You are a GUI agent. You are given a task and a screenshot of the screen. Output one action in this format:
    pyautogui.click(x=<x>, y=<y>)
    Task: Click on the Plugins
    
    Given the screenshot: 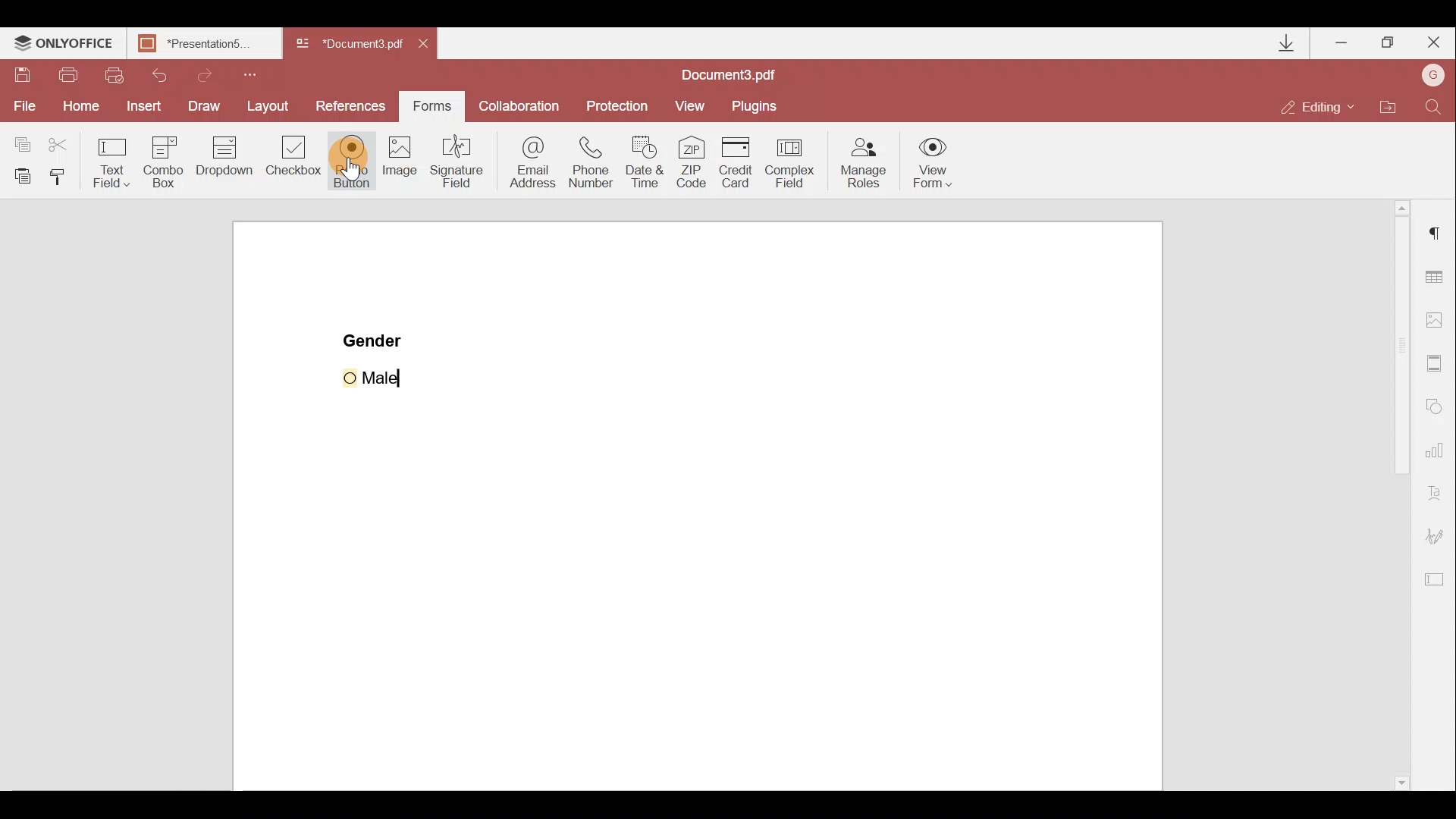 What is the action you would take?
    pyautogui.click(x=760, y=103)
    